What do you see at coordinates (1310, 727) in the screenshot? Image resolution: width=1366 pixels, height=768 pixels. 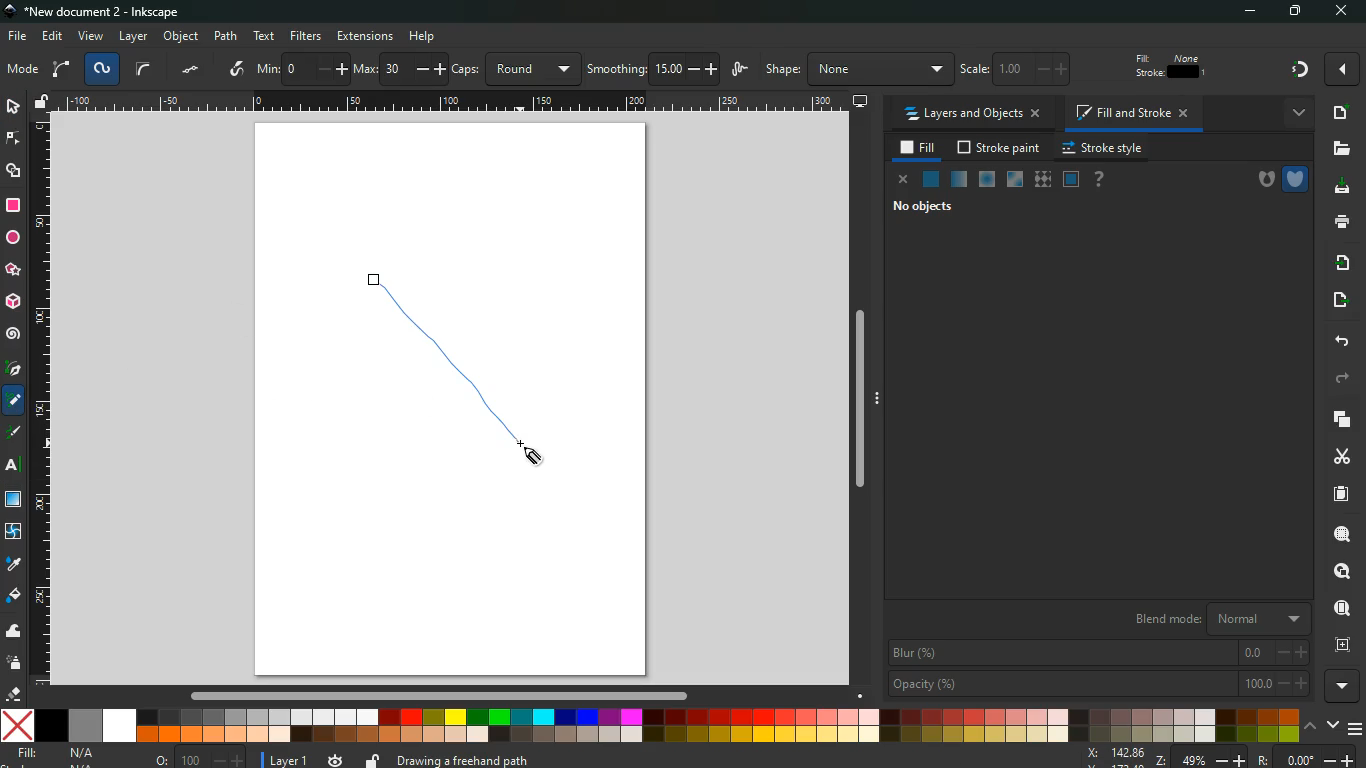 I see `up` at bounding box center [1310, 727].